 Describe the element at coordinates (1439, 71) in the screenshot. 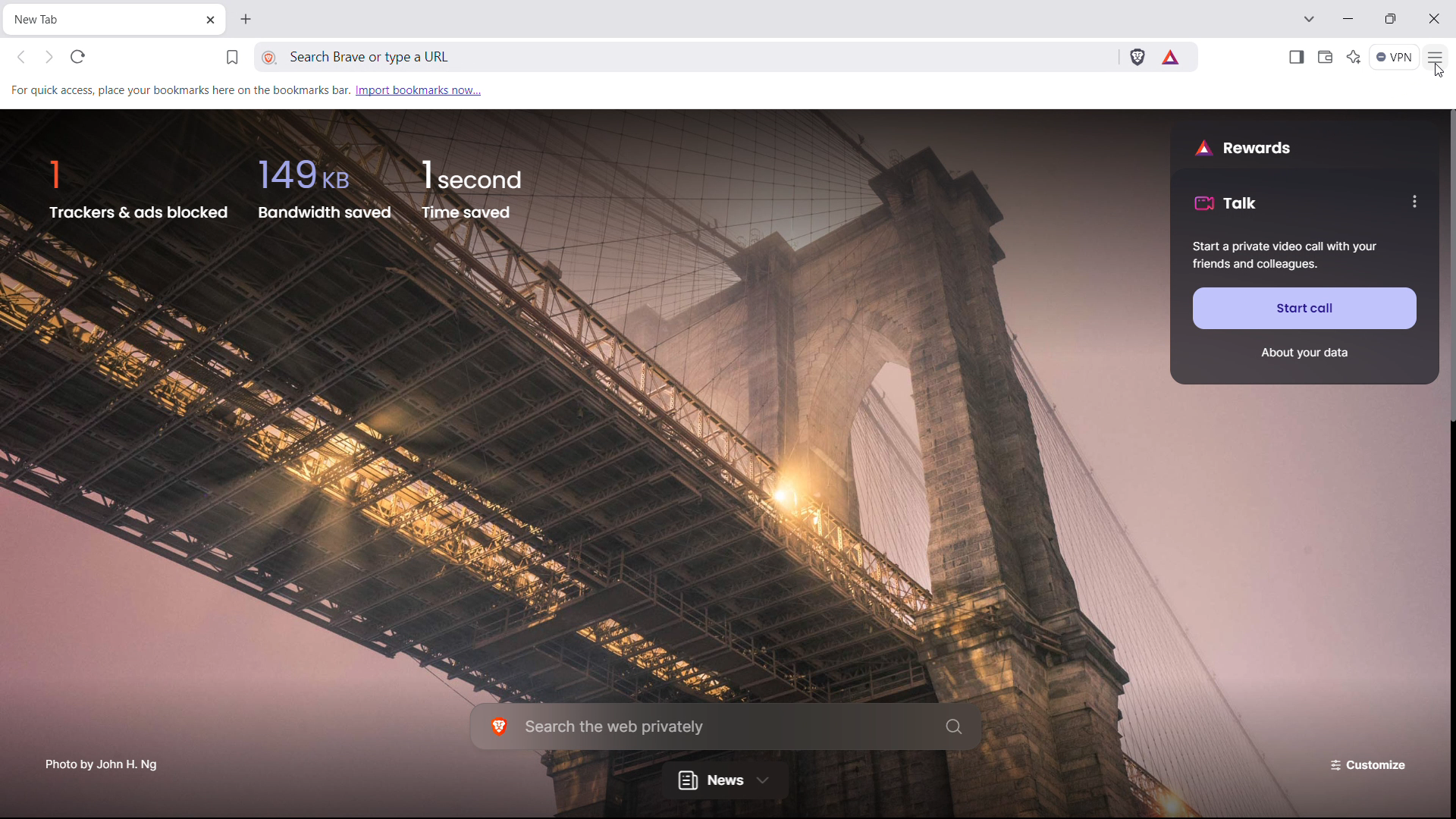

I see `cursor` at that location.